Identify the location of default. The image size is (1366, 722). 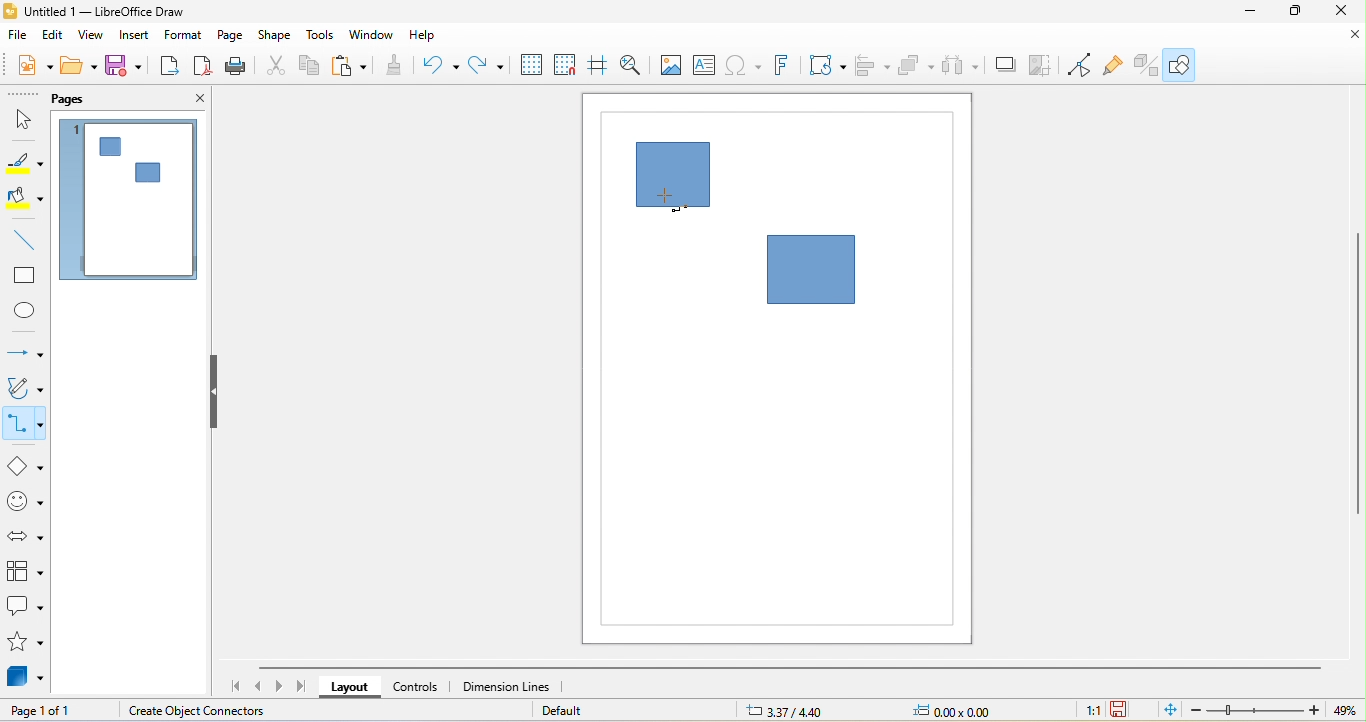
(576, 711).